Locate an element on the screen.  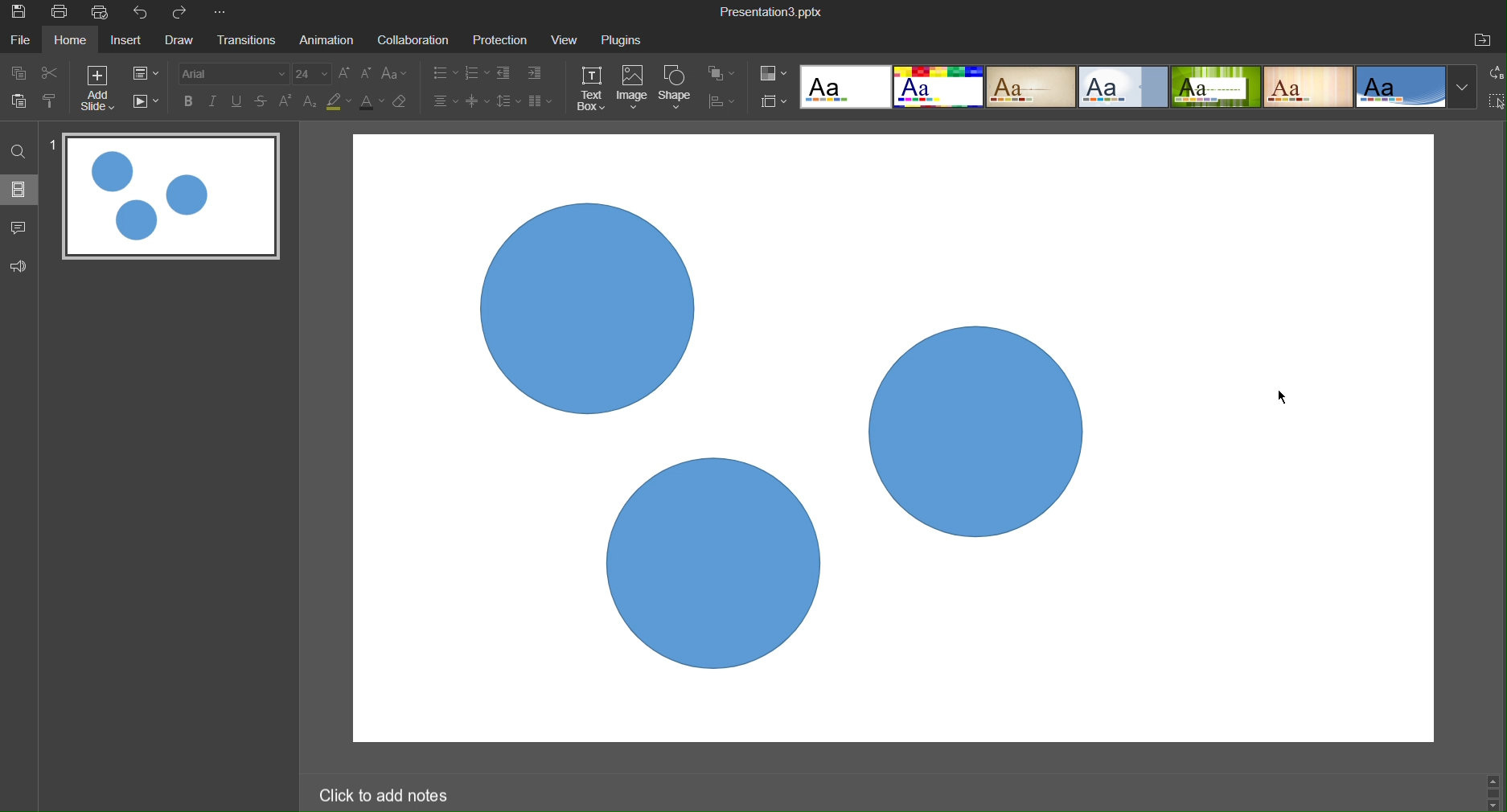
Protection is located at coordinates (502, 40).